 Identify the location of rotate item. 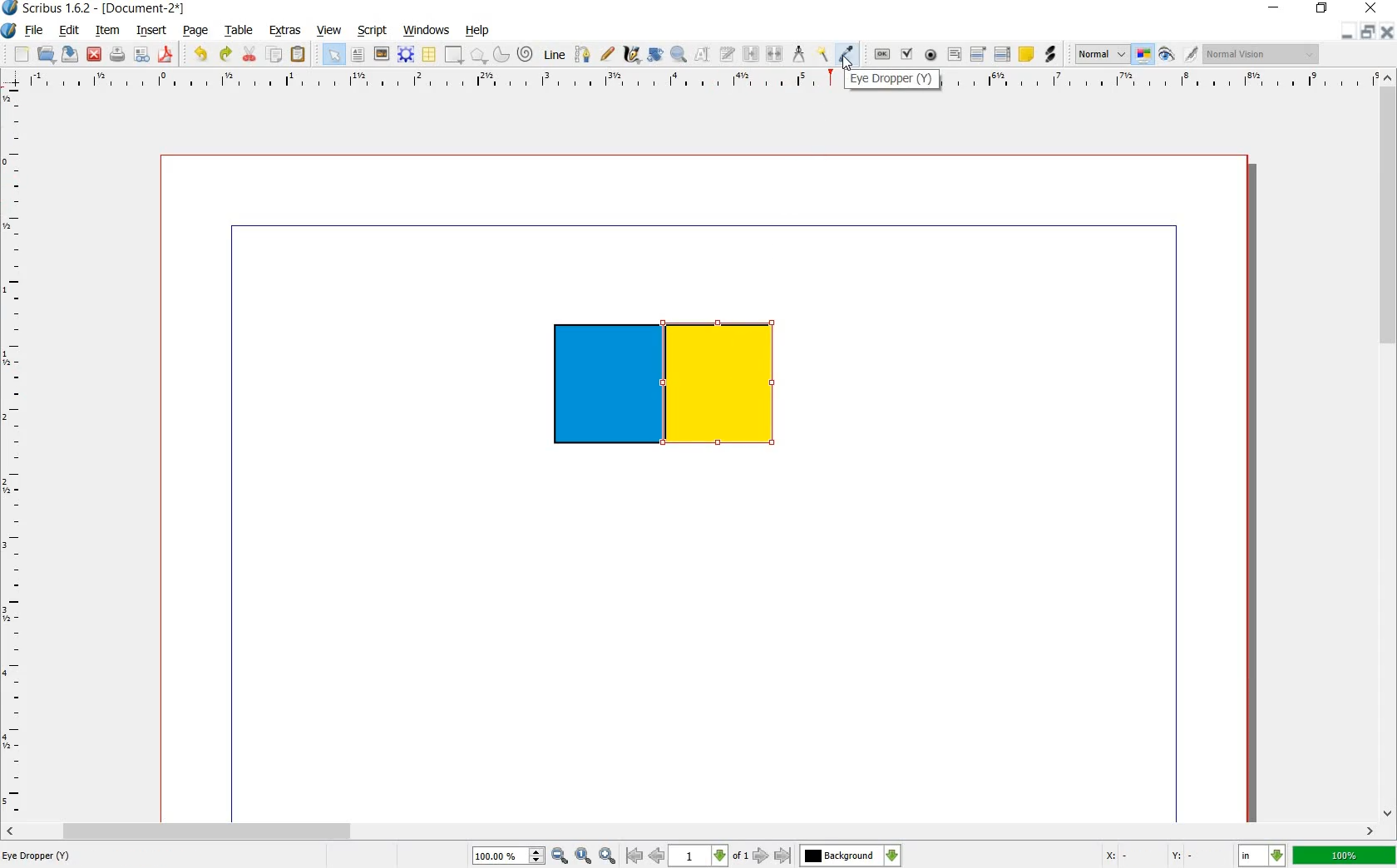
(655, 56).